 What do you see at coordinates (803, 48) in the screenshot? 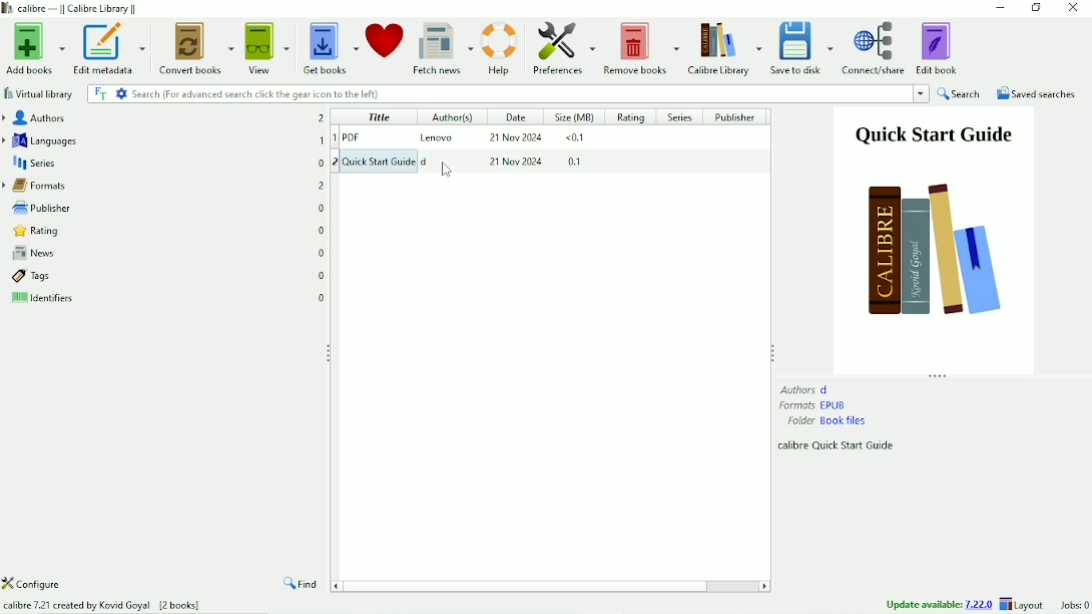
I see `Save to disk` at bounding box center [803, 48].